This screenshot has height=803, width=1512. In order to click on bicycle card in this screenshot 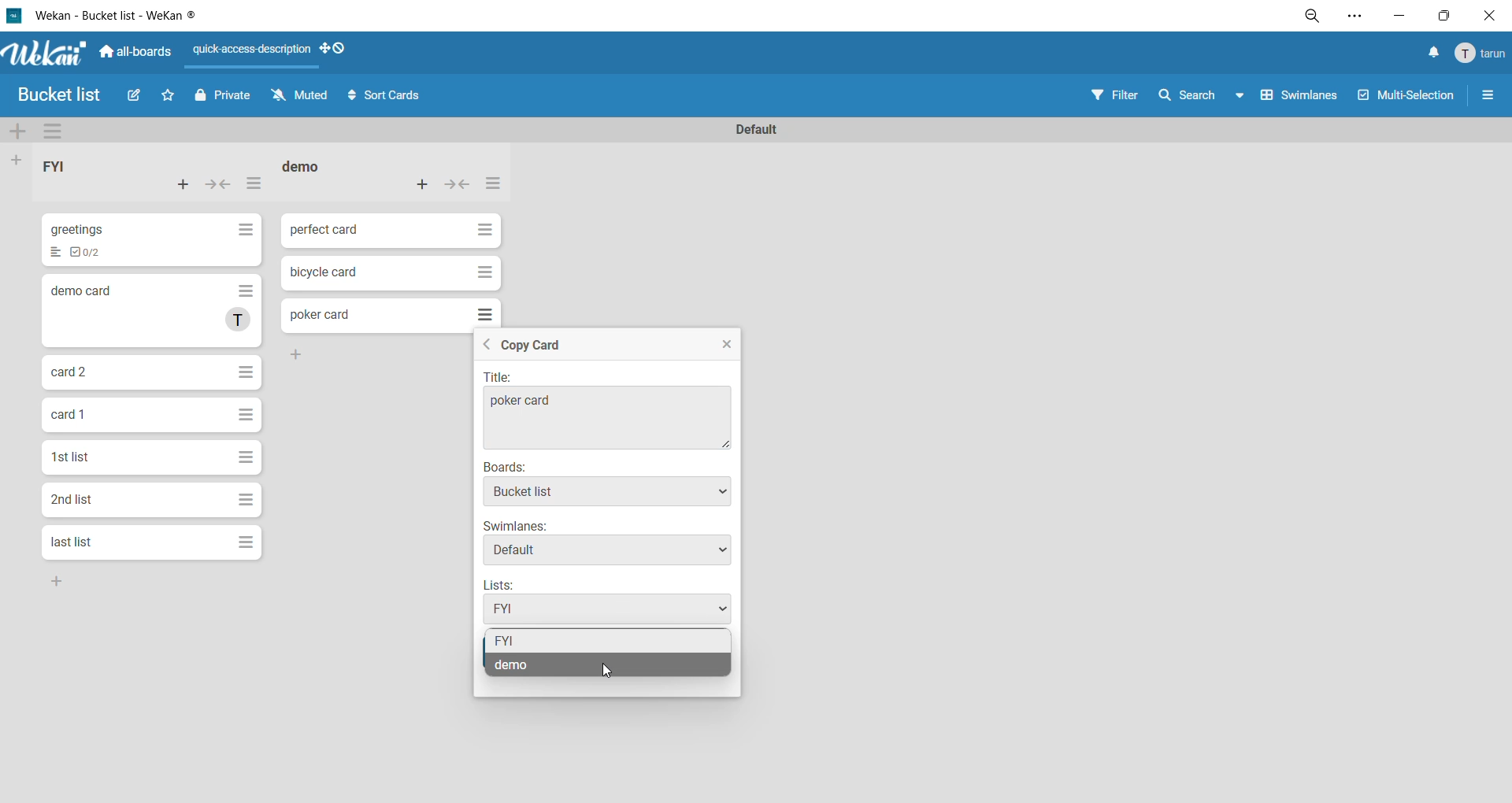, I will do `click(325, 274)`.